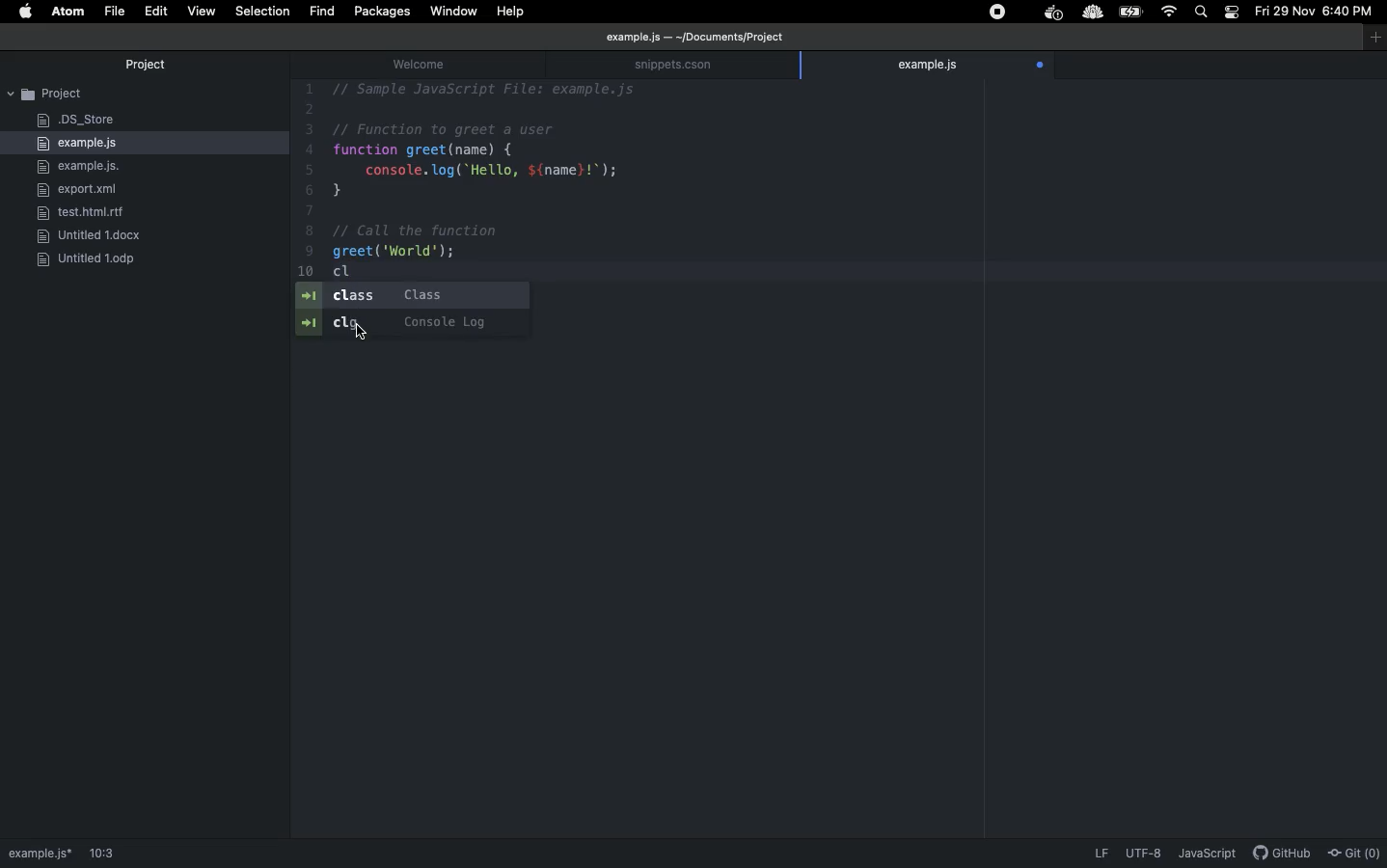 This screenshot has width=1387, height=868. What do you see at coordinates (1004, 12) in the screenshot?
I see `Extensions` at bounding box center [1004, 12].